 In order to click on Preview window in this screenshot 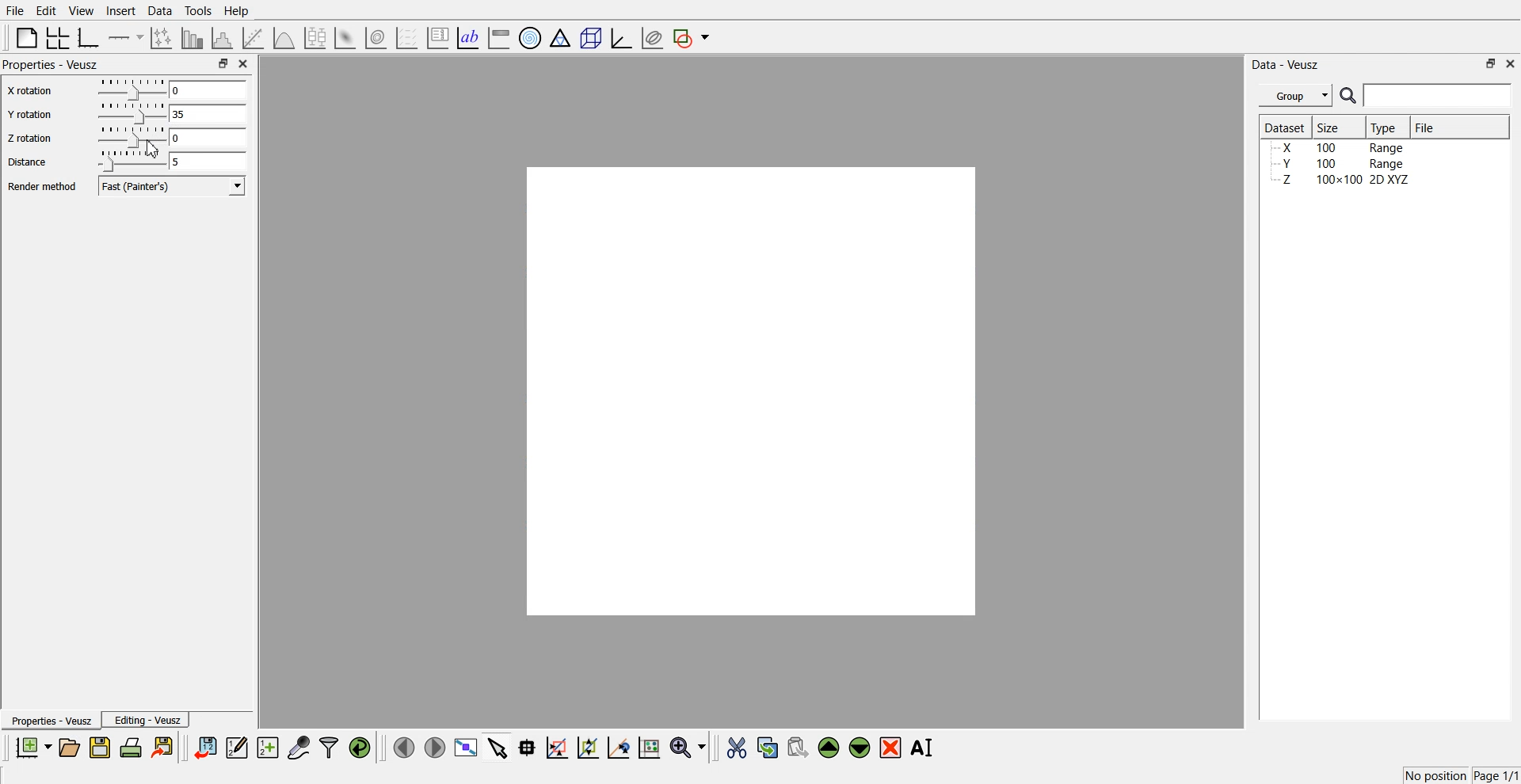, I will do `click(752, 391)`.